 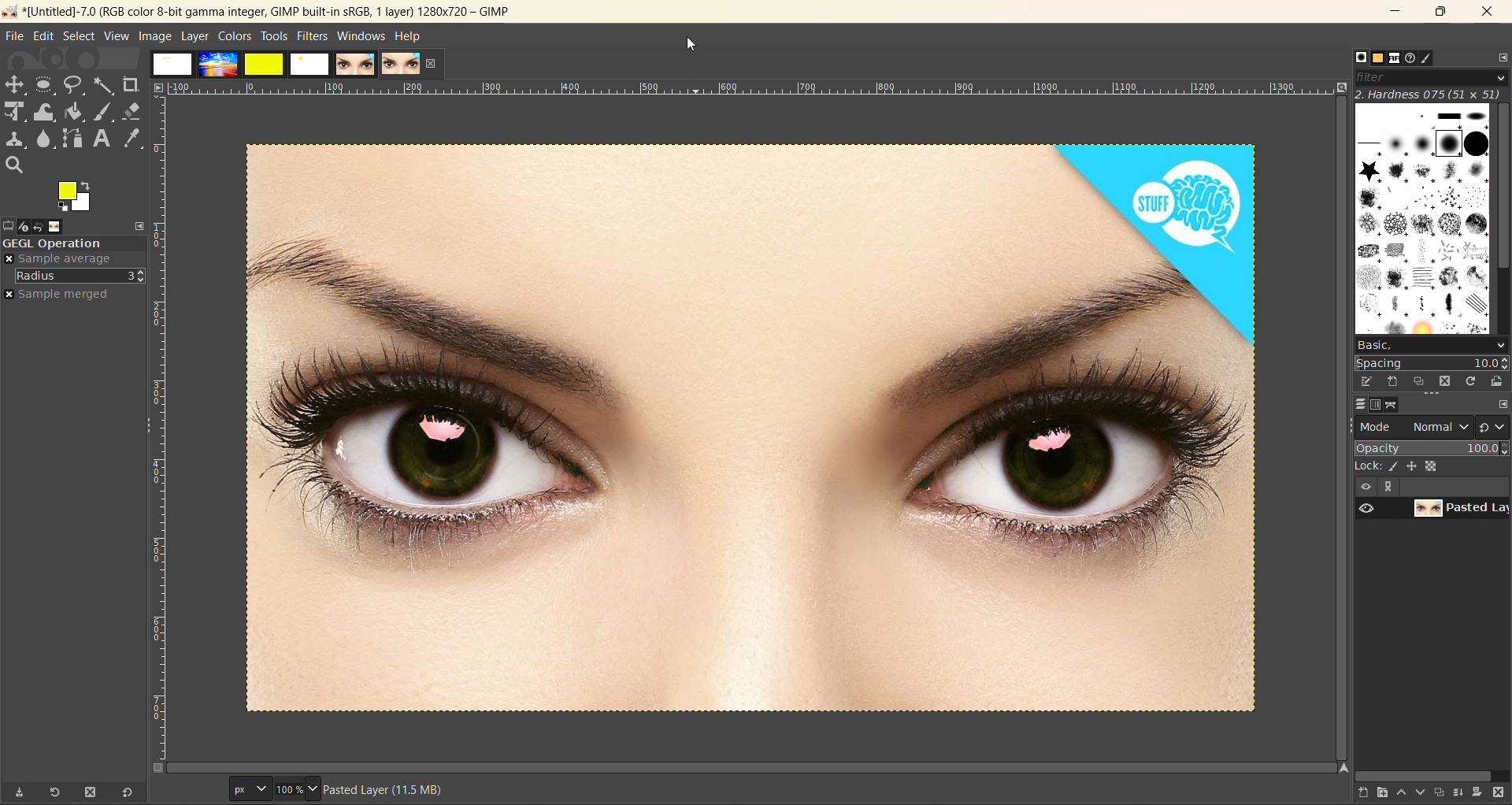 What do you see at coordinates (1412, 58) in the screenshot?
I see `document history` at bounding box center [1412, 58].